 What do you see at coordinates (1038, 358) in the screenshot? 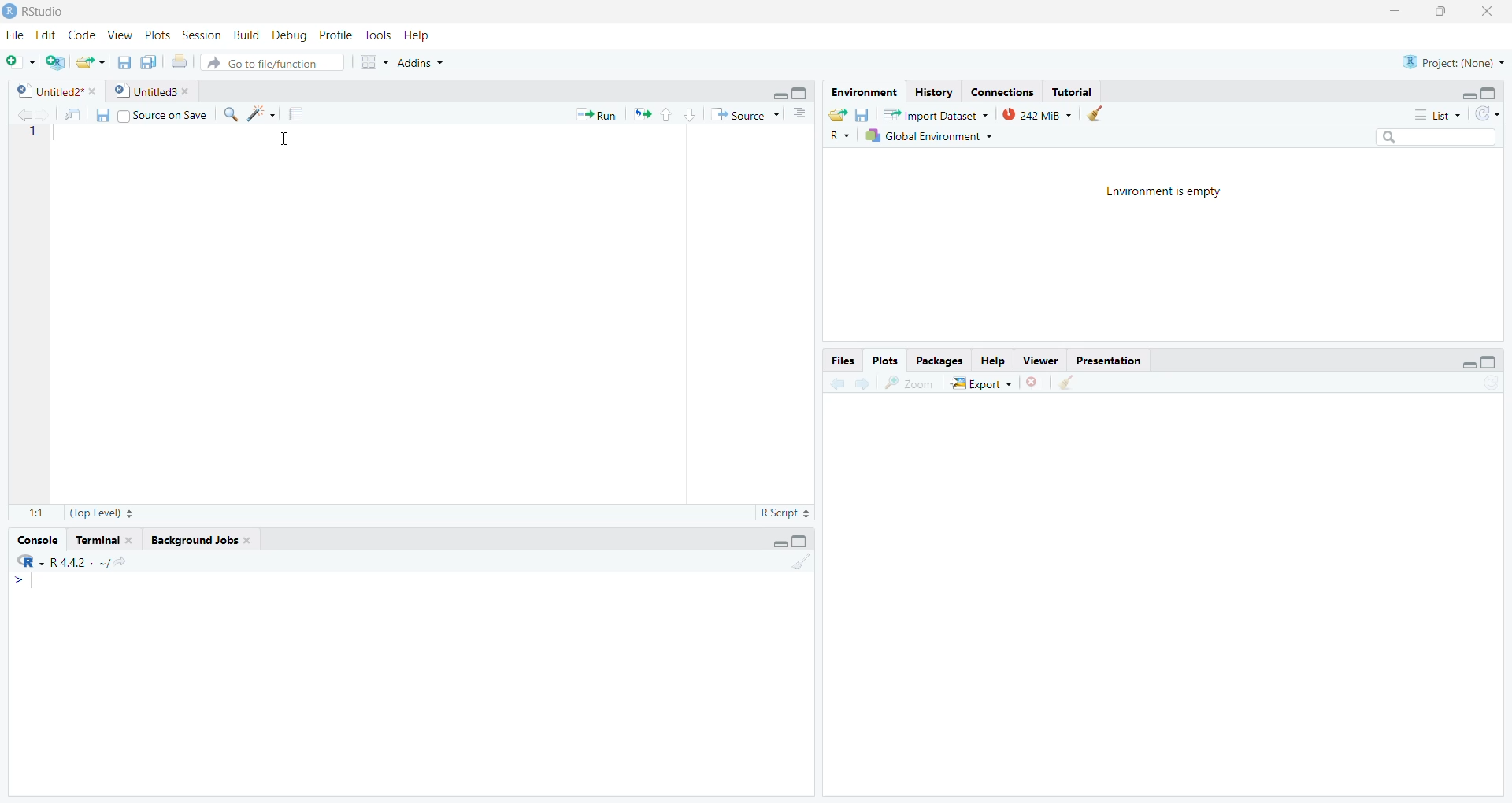
I see `Viewer` at bounding box center [1038, 358].